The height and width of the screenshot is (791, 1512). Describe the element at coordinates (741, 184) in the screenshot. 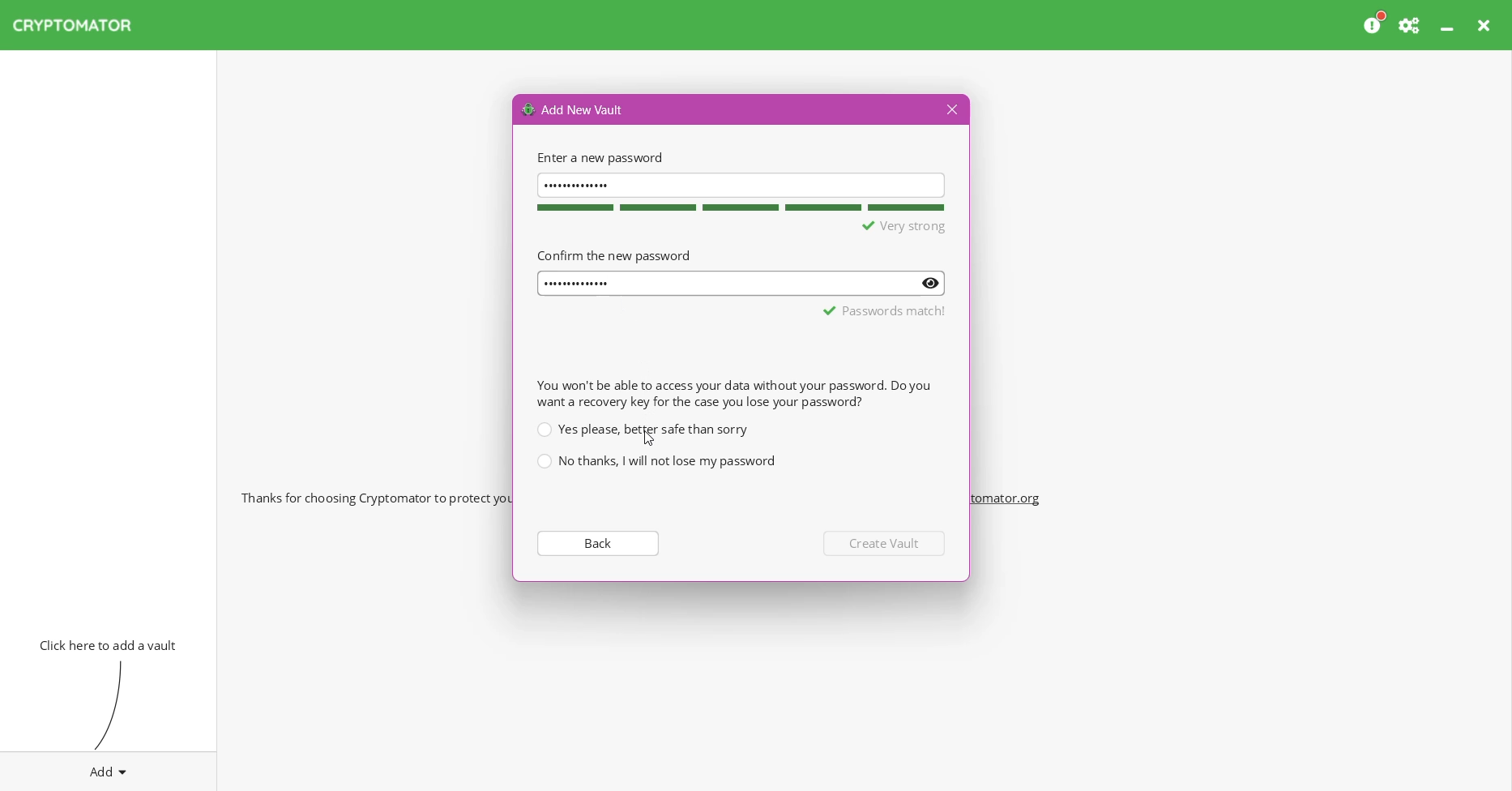

I see `Enter a new password` at that location.